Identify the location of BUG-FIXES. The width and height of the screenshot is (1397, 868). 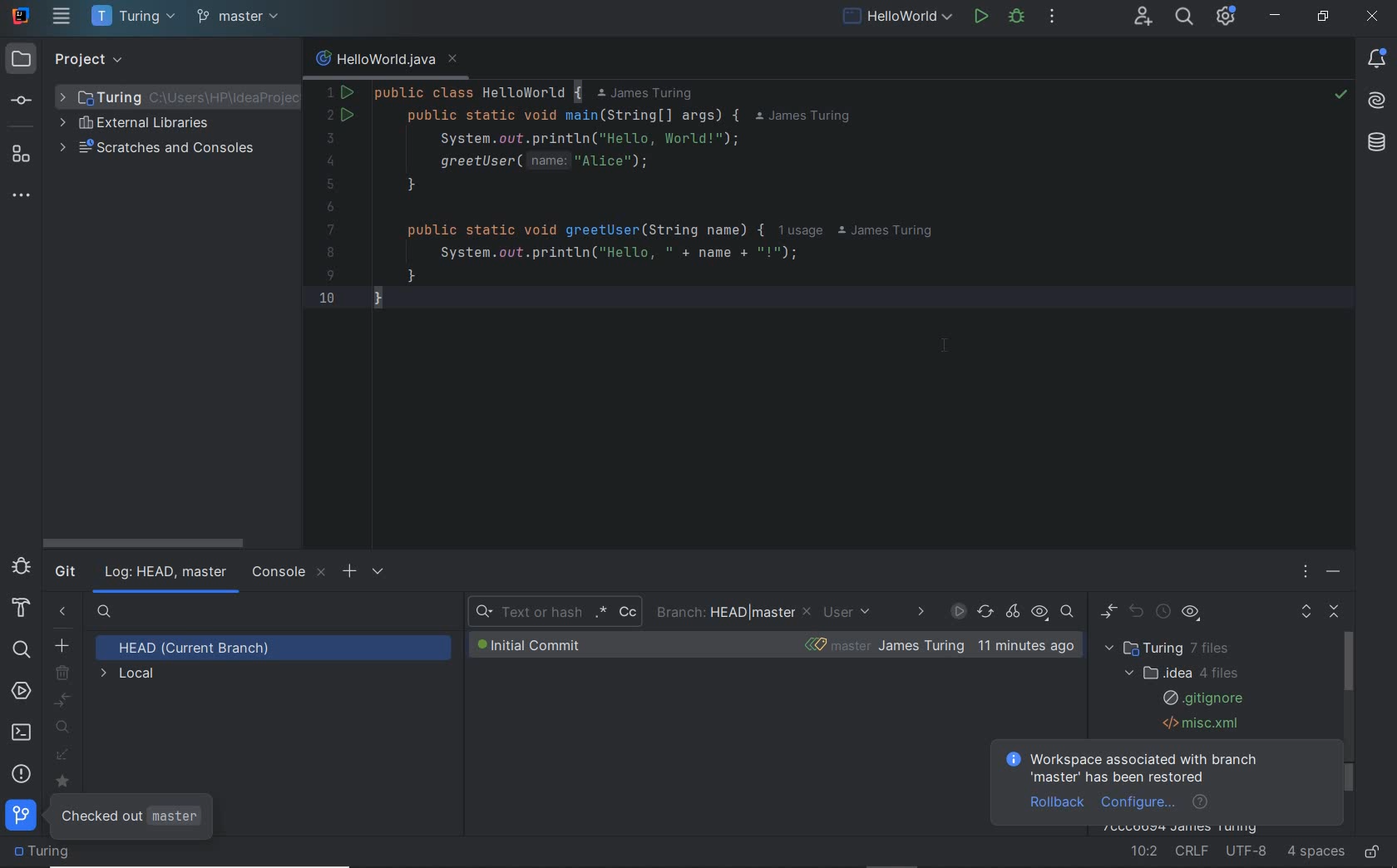
(873, 646).